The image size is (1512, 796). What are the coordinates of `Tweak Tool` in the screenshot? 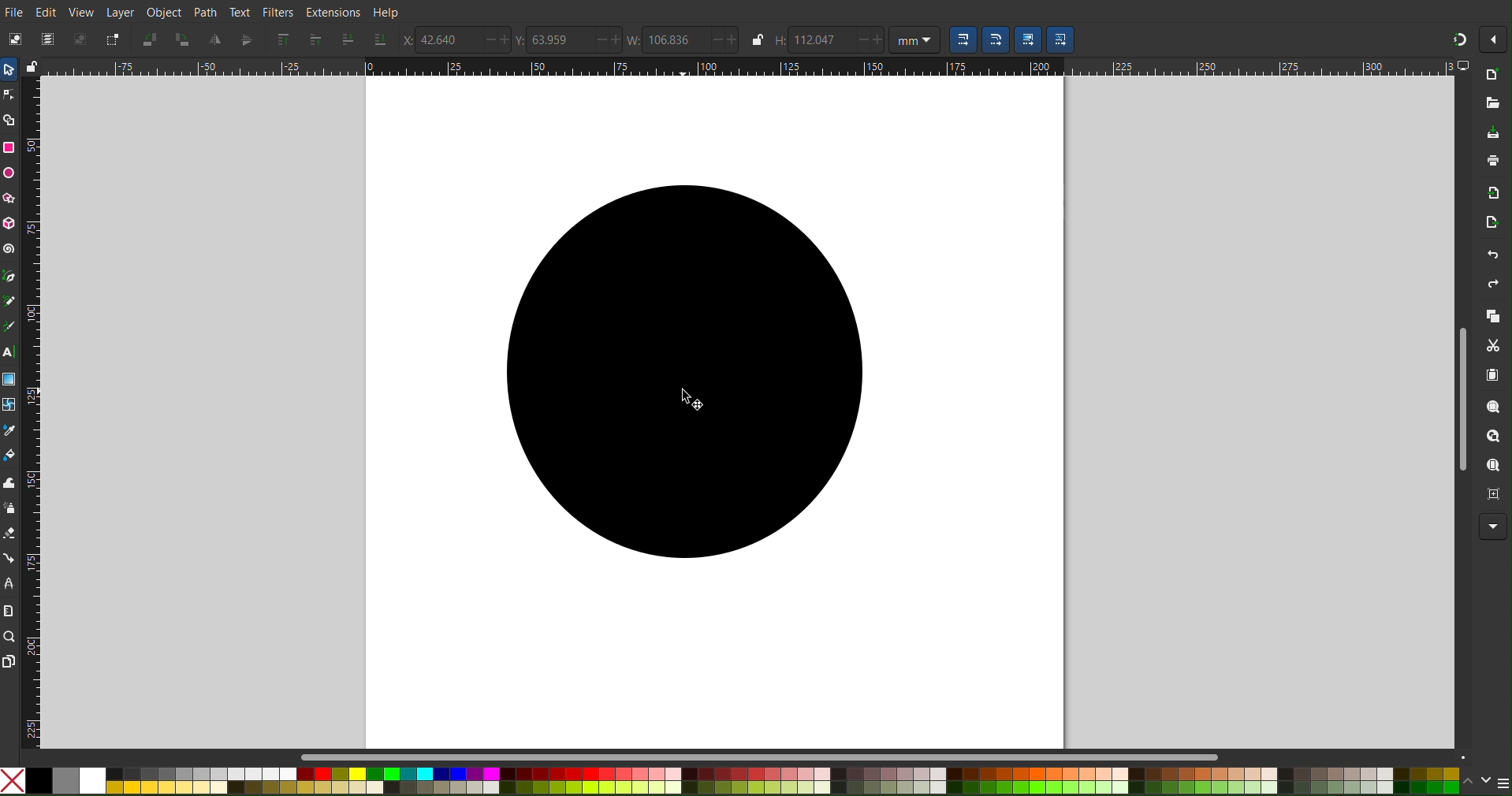 It's located at (9, 483).